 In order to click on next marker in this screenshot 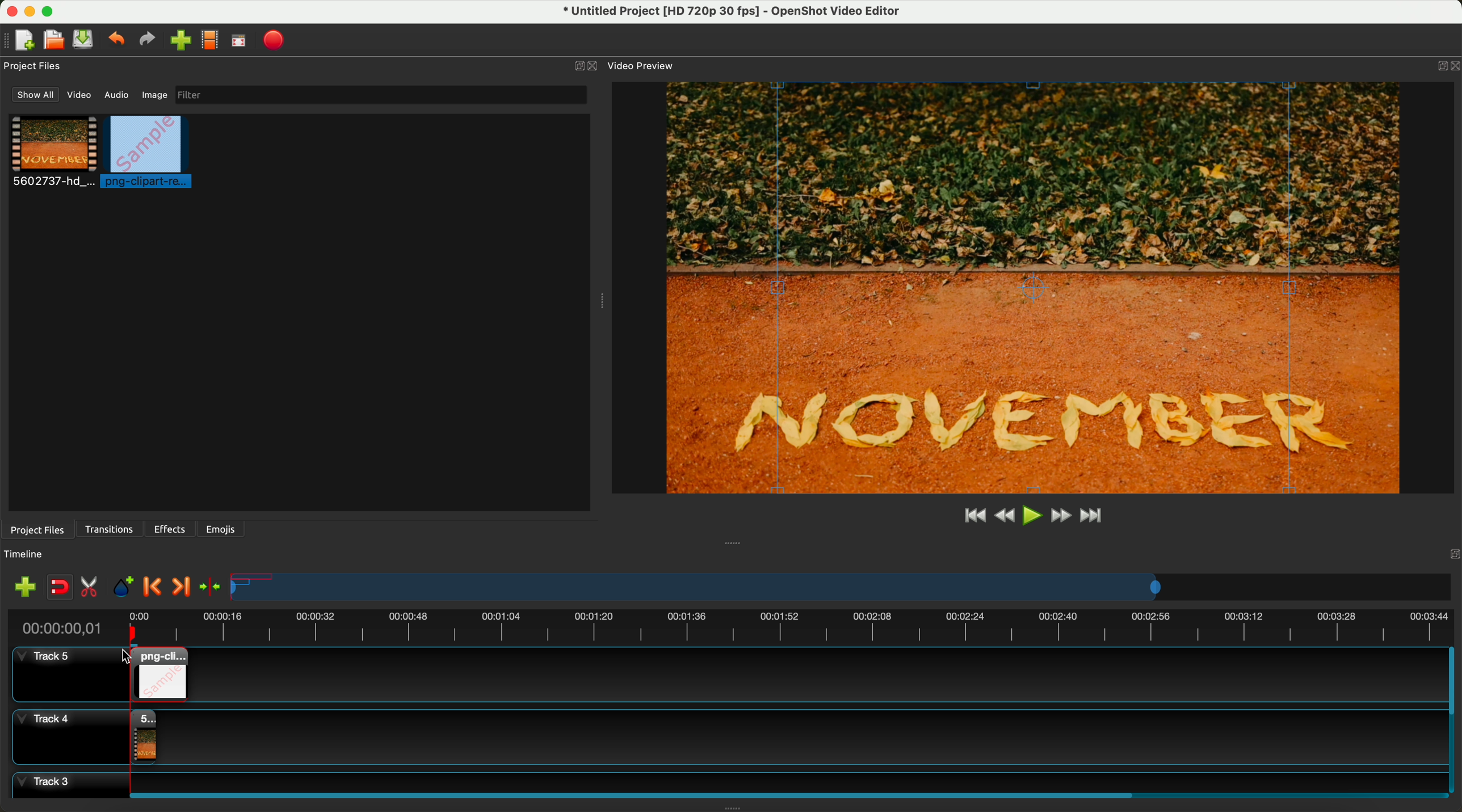, I will do `click(180, 587)`.